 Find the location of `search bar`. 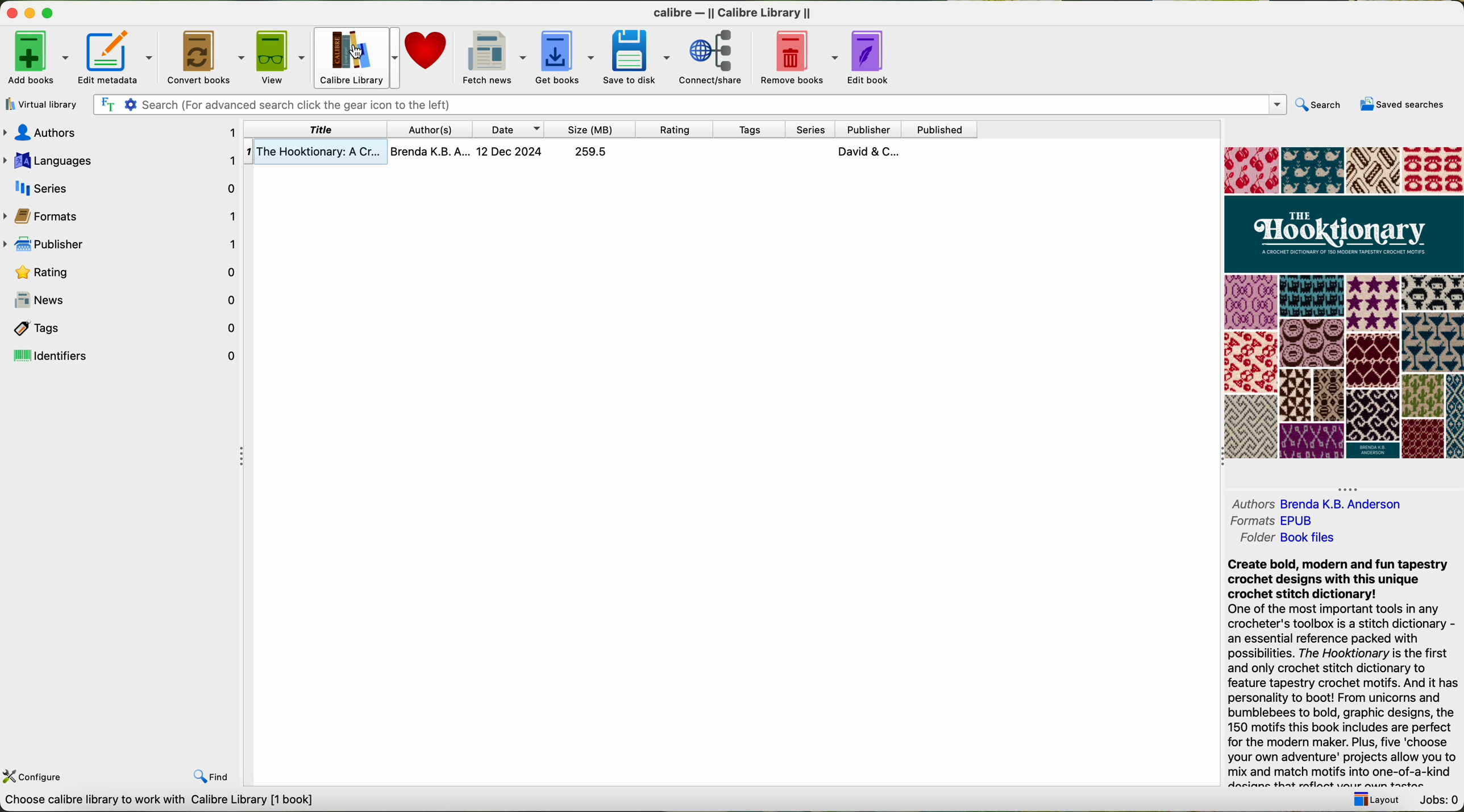

search bar is located at coordinates (718, 103).